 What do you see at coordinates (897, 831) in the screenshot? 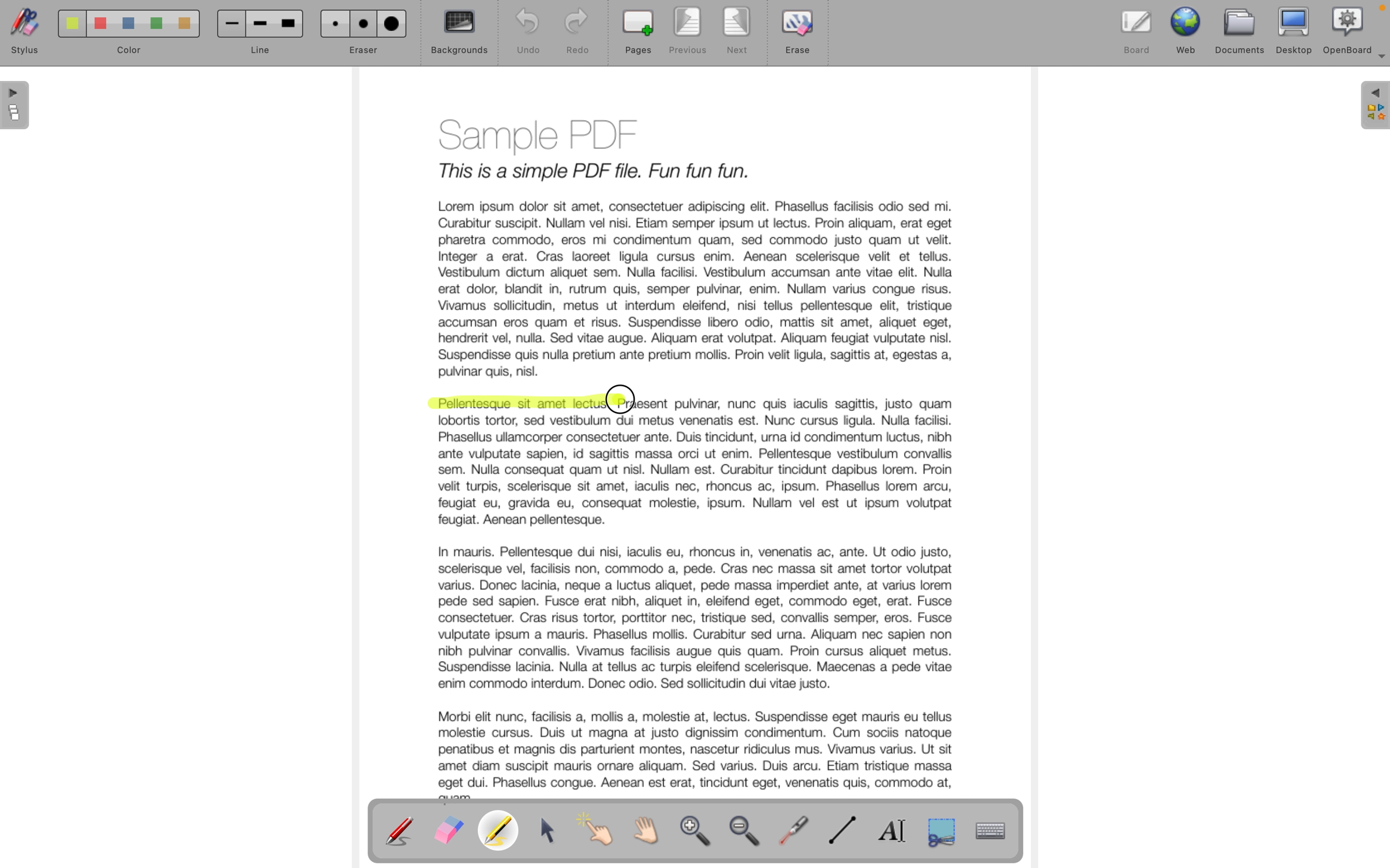
I see `write text` at bounding box center [897, 831].